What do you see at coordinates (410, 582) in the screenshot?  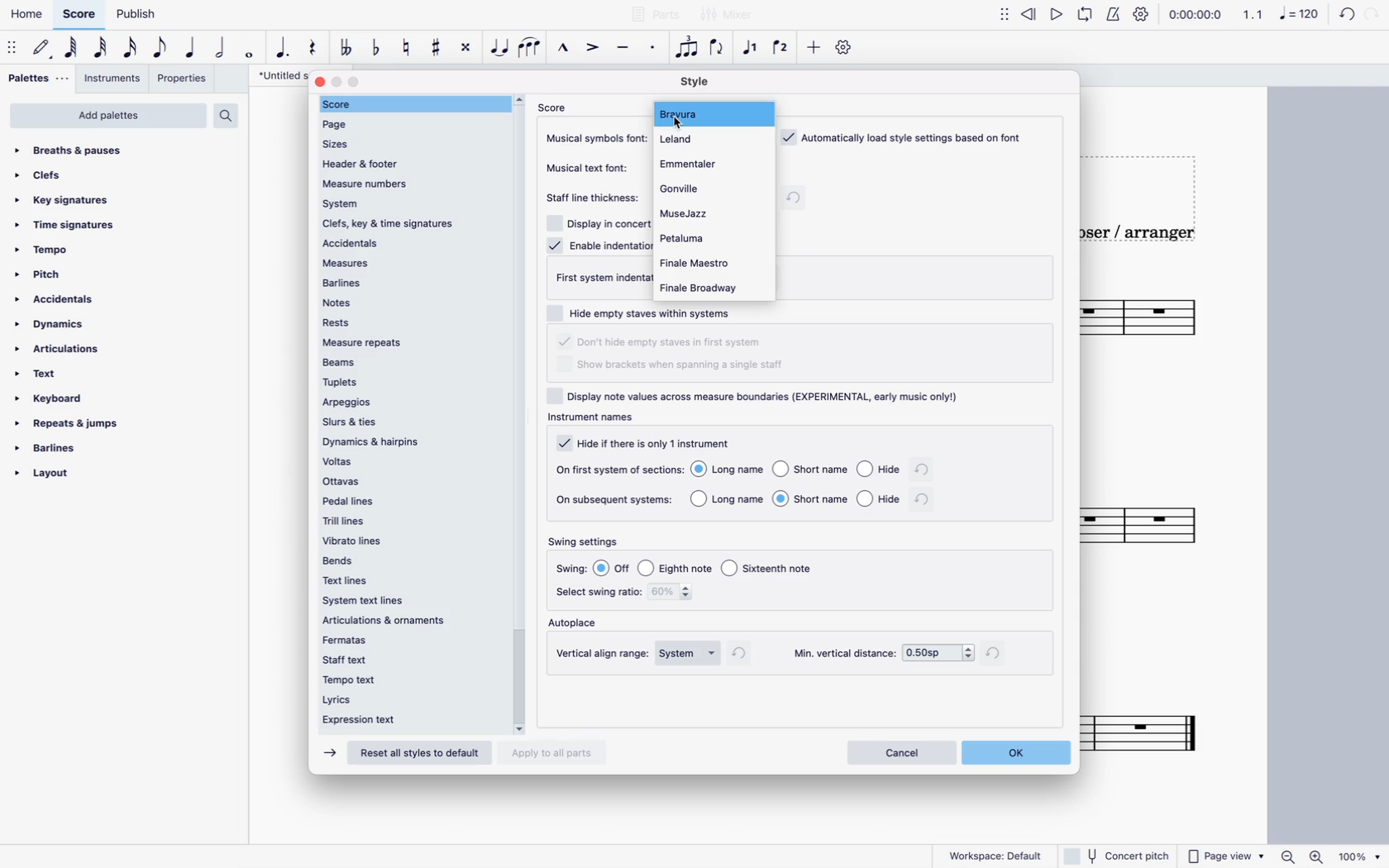 I see `text lines` at bounding box center [410, 582].